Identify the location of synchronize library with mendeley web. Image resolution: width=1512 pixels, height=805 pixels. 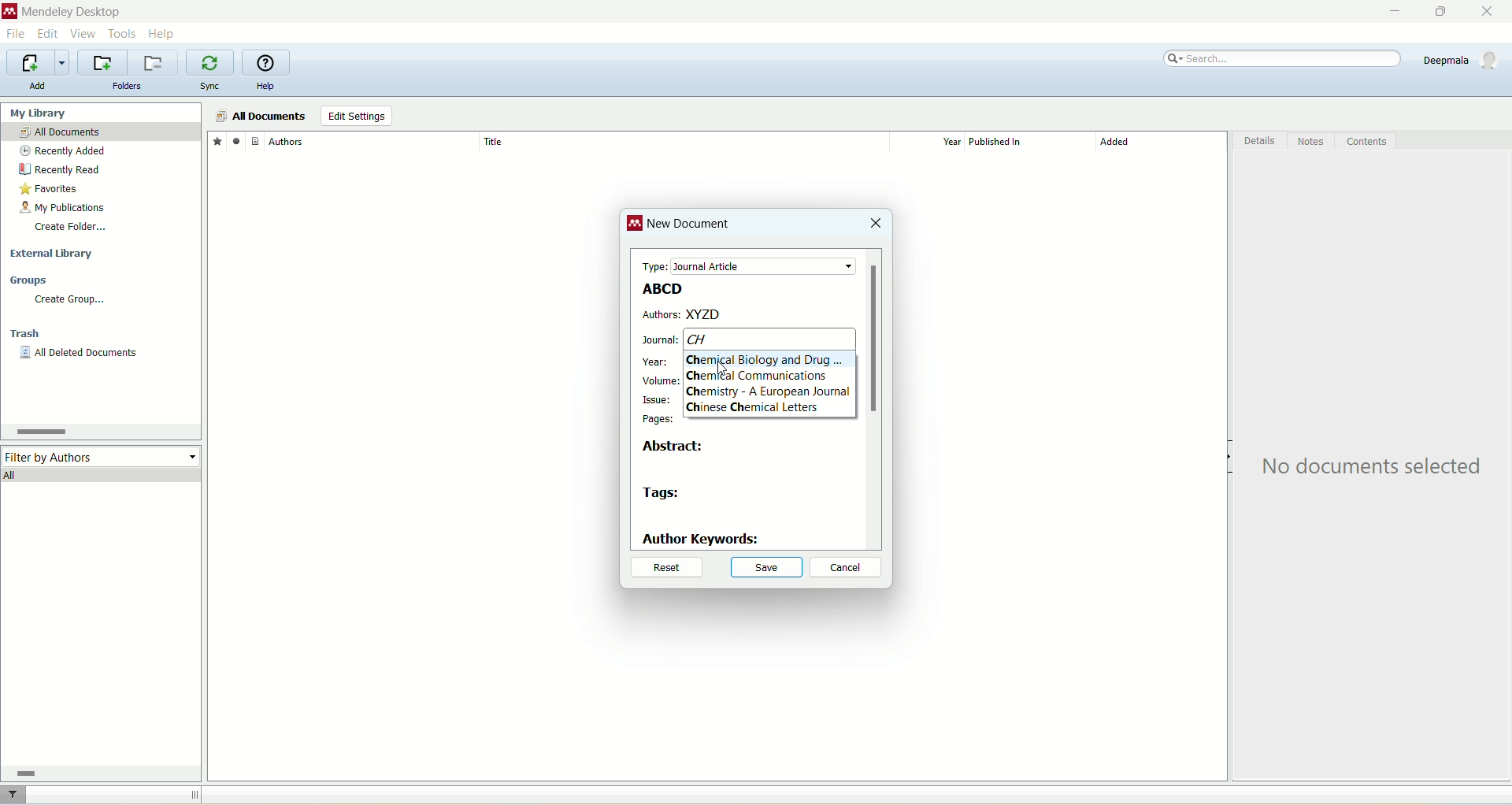
(212, 63).